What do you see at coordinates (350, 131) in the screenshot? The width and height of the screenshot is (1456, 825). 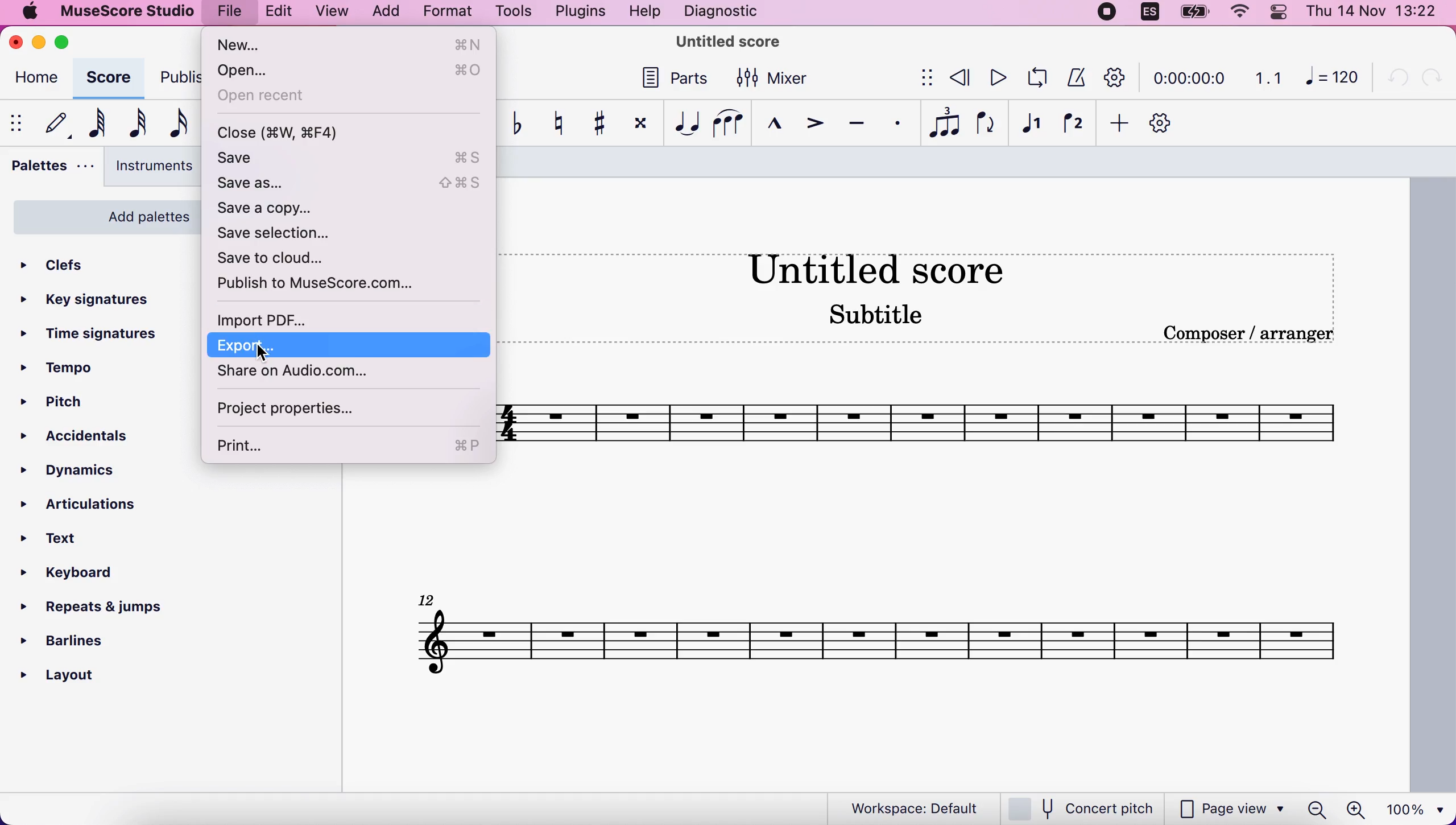 I see `close` at bounding box center [350, 131].